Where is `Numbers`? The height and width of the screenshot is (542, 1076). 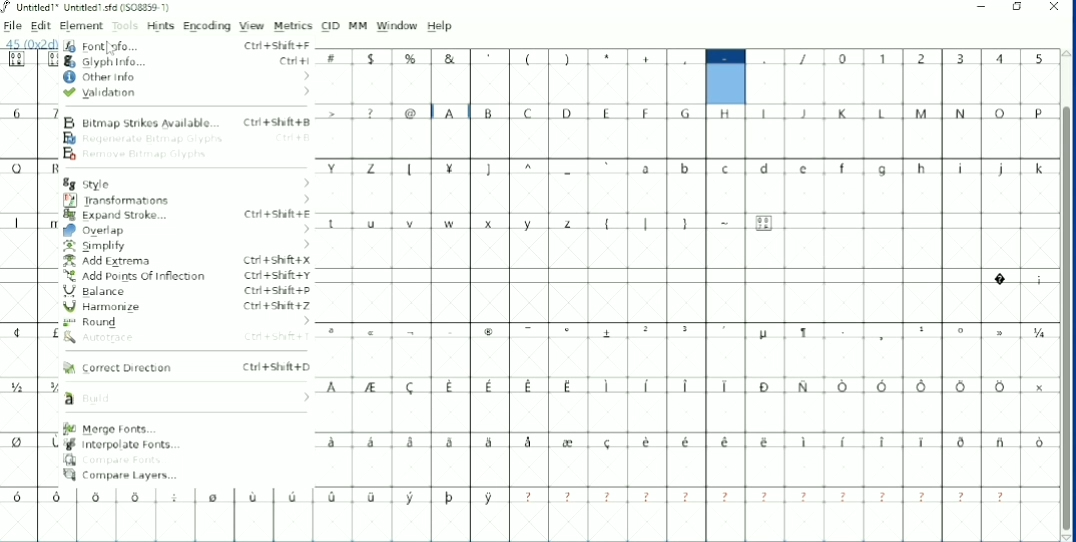 Numbers is located at coordinates (34, 113).